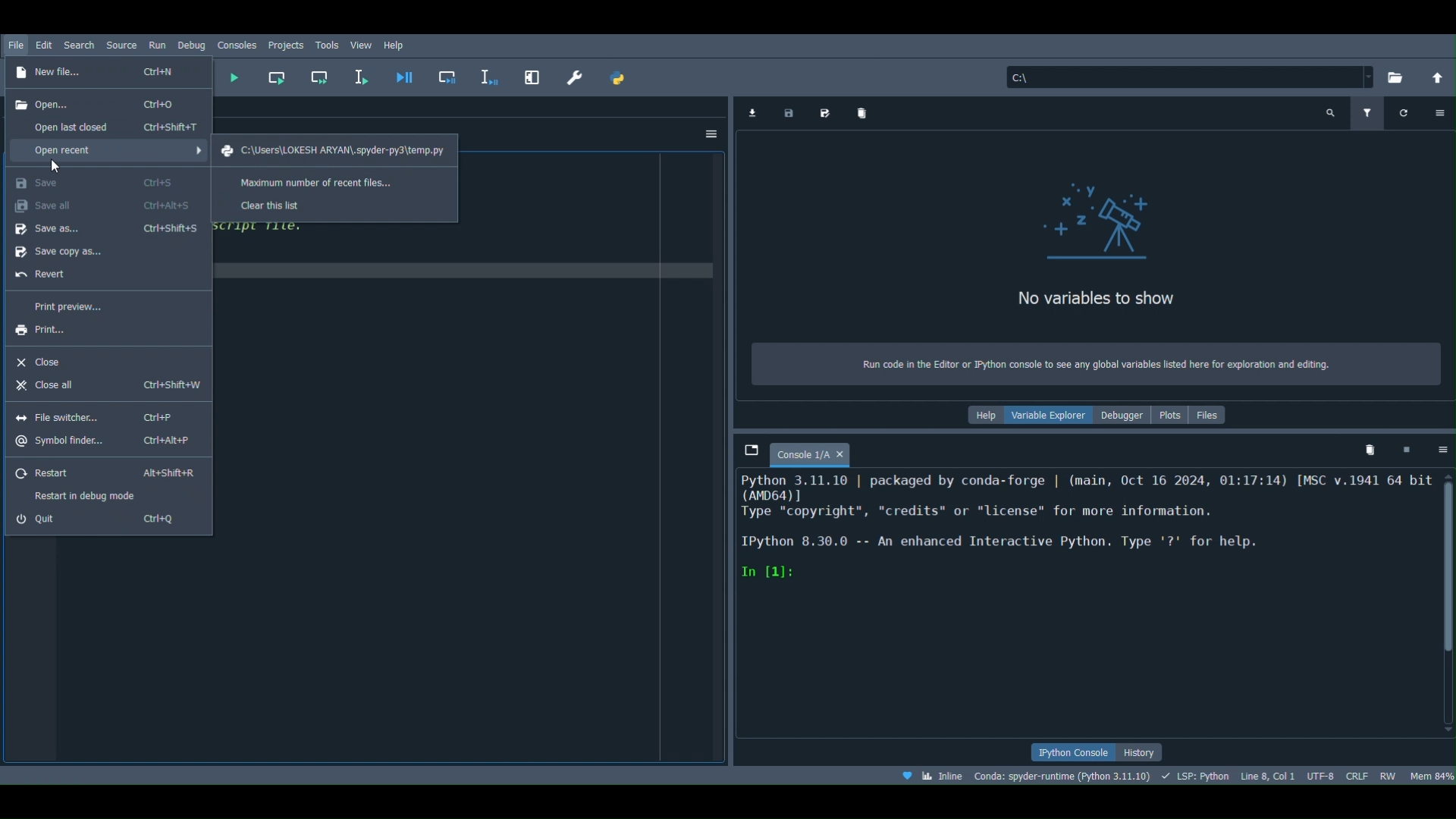  Describe the element at coordinates (402, 74) in the screenshot. I see `Debug file (Ctrl + F5)` at that location.